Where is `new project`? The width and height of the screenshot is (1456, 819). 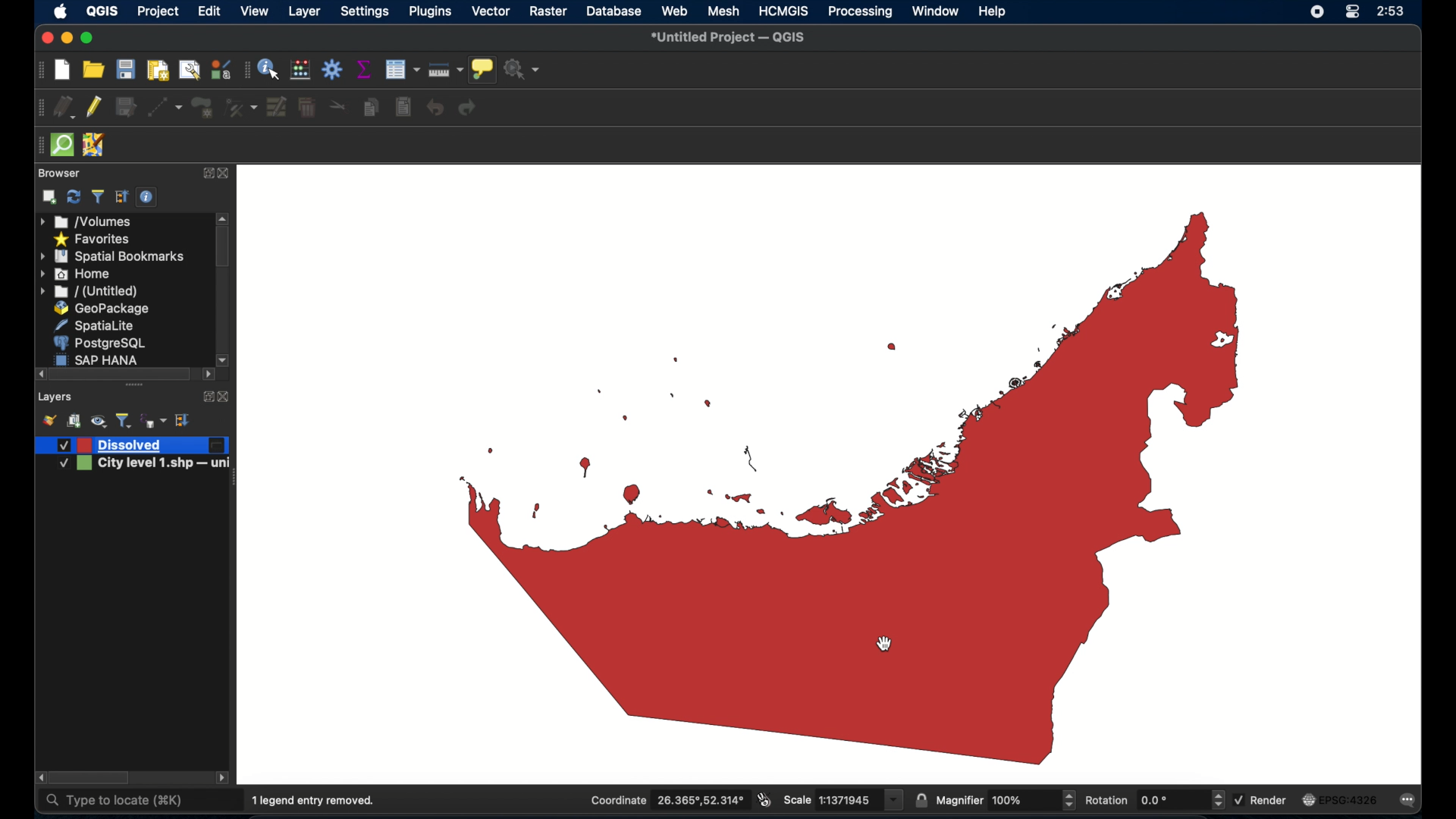
new project is located at coordinates (63, 71).